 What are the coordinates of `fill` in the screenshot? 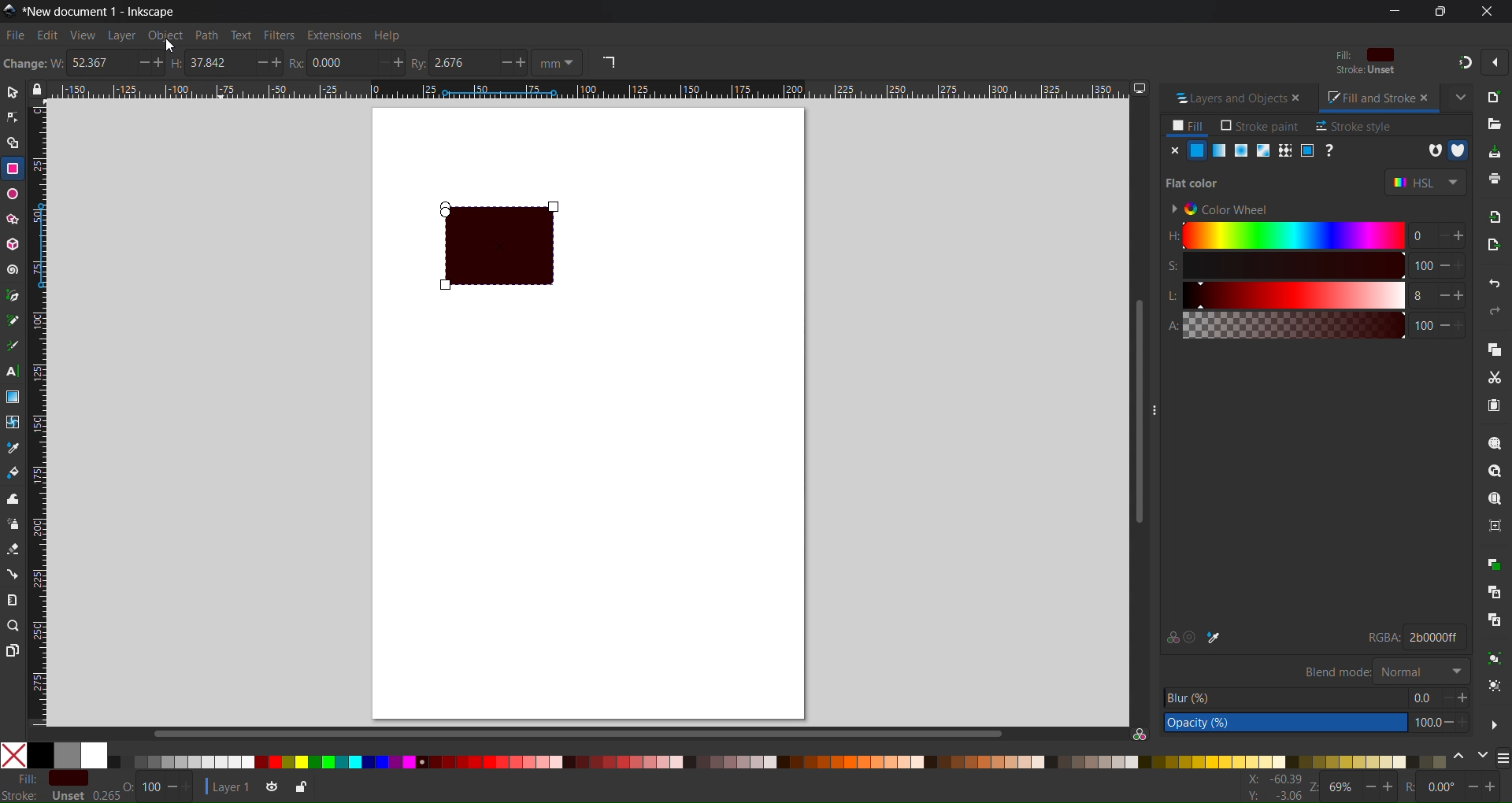 It's located at (1189, 126).